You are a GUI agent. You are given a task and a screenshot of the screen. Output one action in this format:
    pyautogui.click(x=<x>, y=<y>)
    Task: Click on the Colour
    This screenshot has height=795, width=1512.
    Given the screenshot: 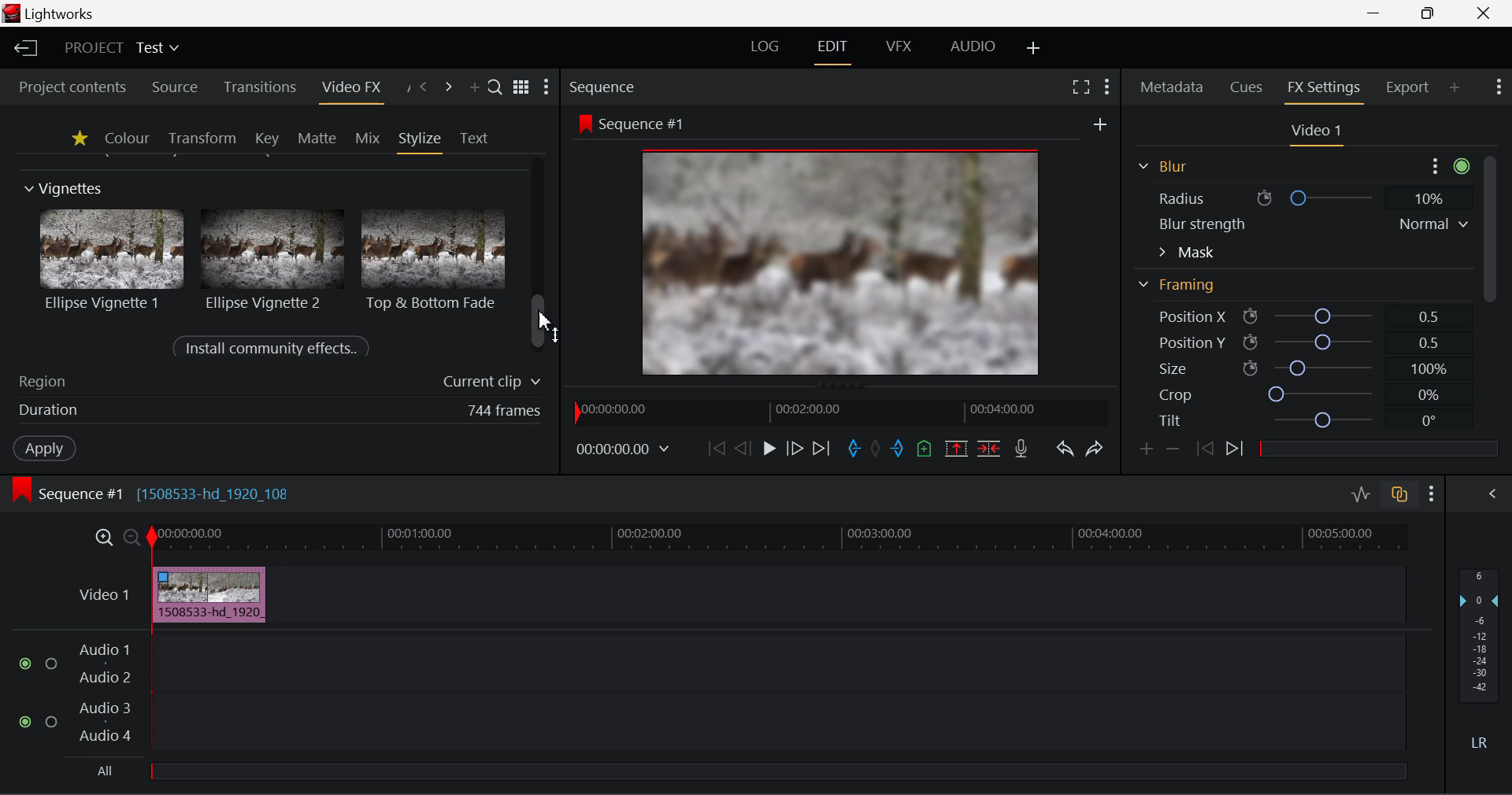 What is the action you would take?
    pyautogui.click(x=126, y=138)
    